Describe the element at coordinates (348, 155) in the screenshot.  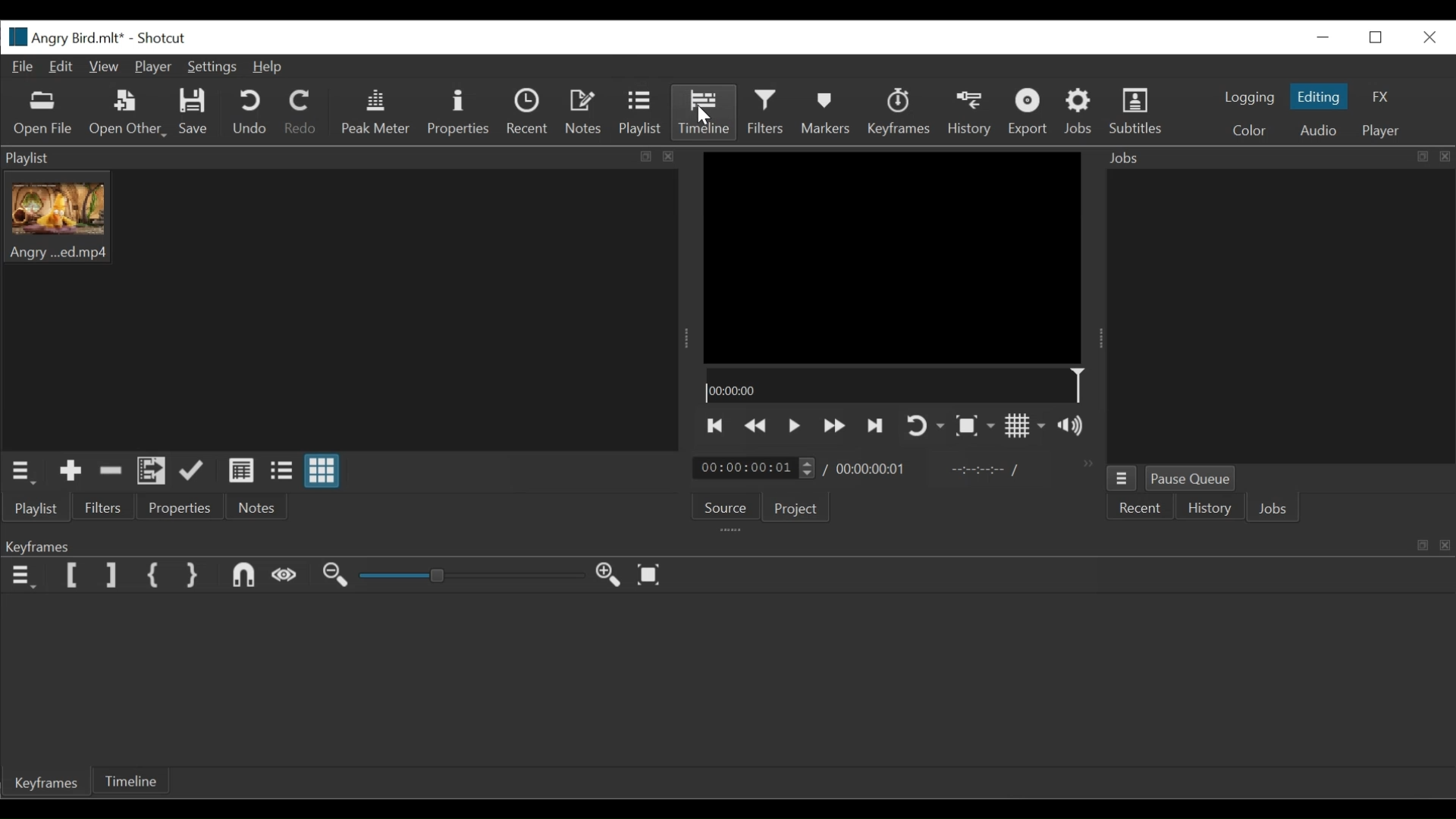
I see `Playlist Panel` at that location.